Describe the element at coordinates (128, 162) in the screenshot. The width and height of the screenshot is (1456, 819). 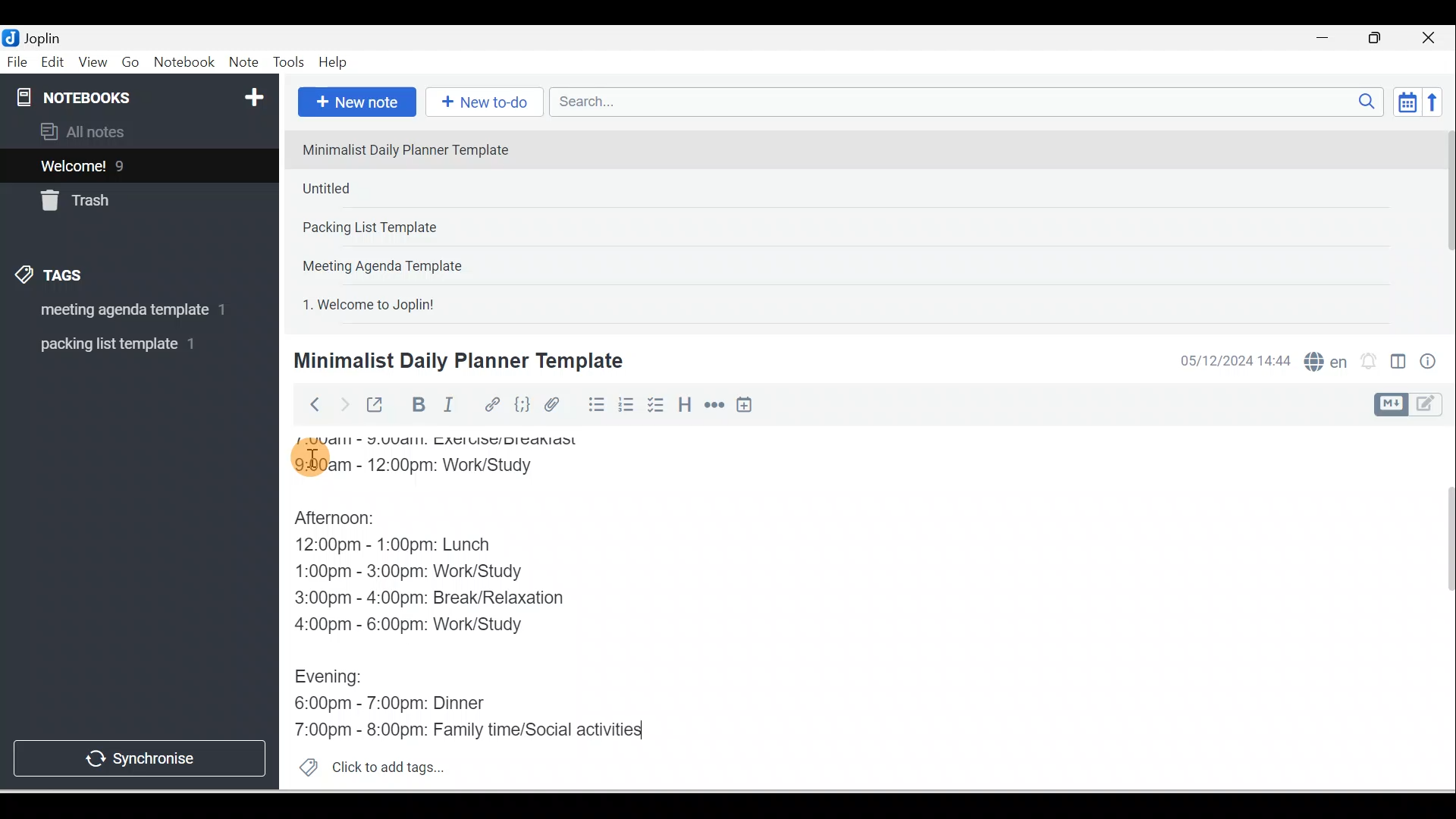
I see `Notes` at that location.